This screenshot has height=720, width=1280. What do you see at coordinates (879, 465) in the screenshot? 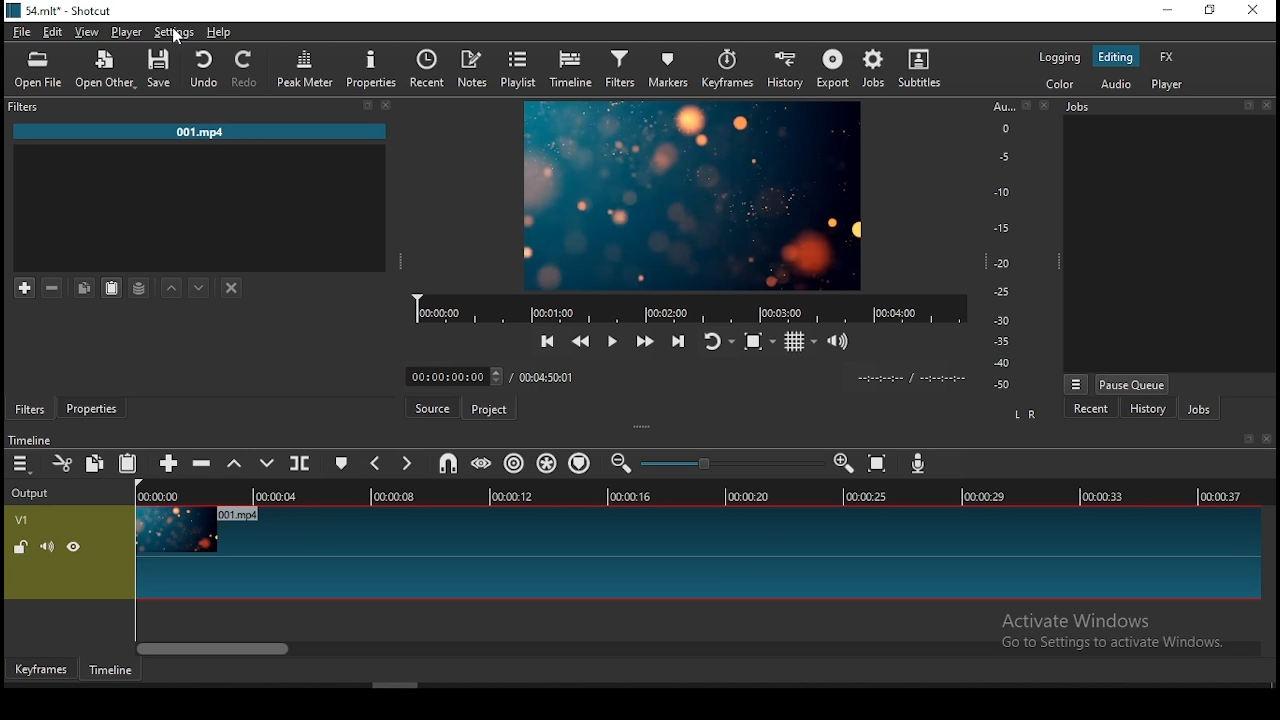
I see `zoom timeline to fit` at bounding box center [879, 465].